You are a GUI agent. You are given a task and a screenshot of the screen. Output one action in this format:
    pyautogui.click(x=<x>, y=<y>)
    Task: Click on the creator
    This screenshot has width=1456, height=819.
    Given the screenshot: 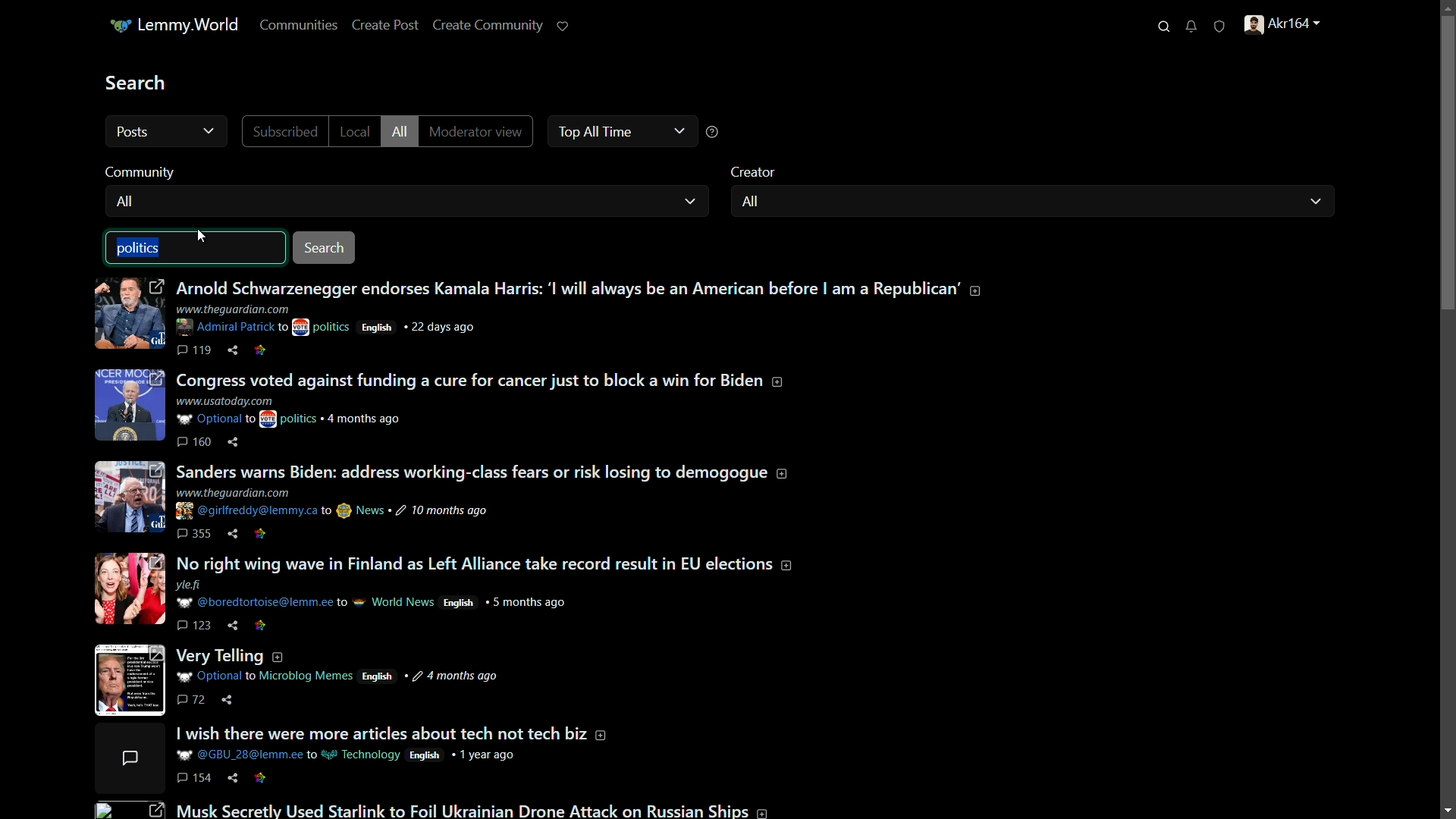 What is the action you would take?
    pyautogui.click(x=758, y=172)
    